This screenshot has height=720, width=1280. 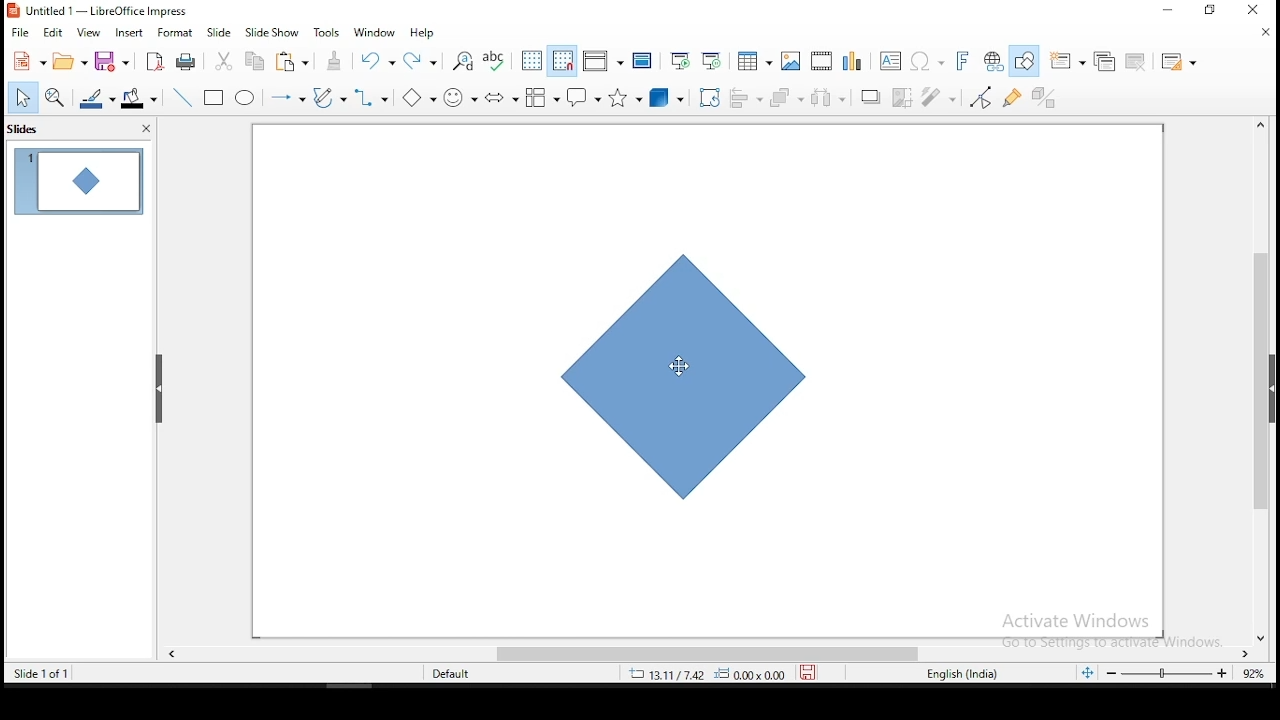 What do you see at coordinates (1066, 60) in the screenshot?
I see `new slide` at bounding box center [1066, 60].